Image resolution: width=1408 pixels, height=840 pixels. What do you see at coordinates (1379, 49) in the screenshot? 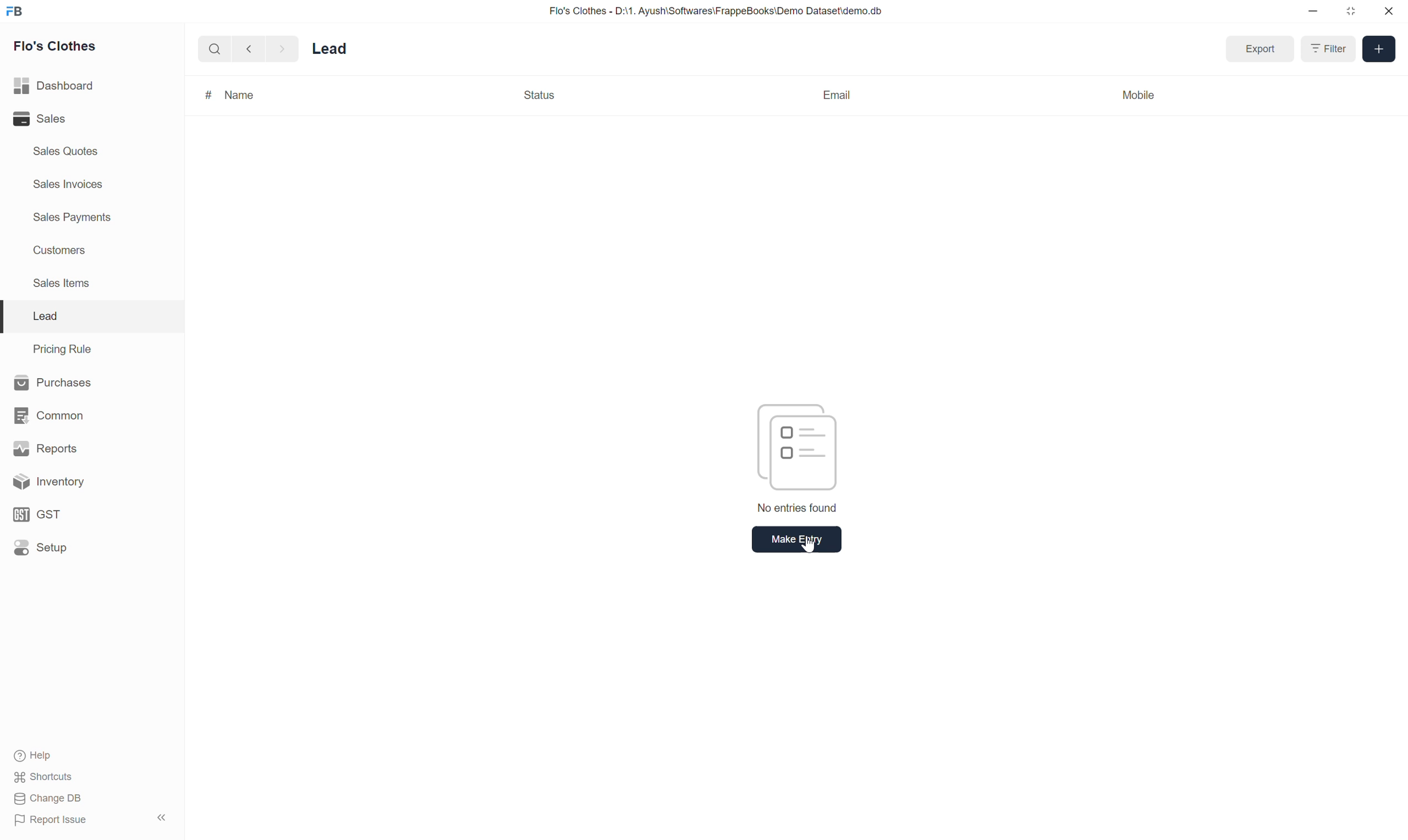
I see `add` at bounding box center [1379, 49].